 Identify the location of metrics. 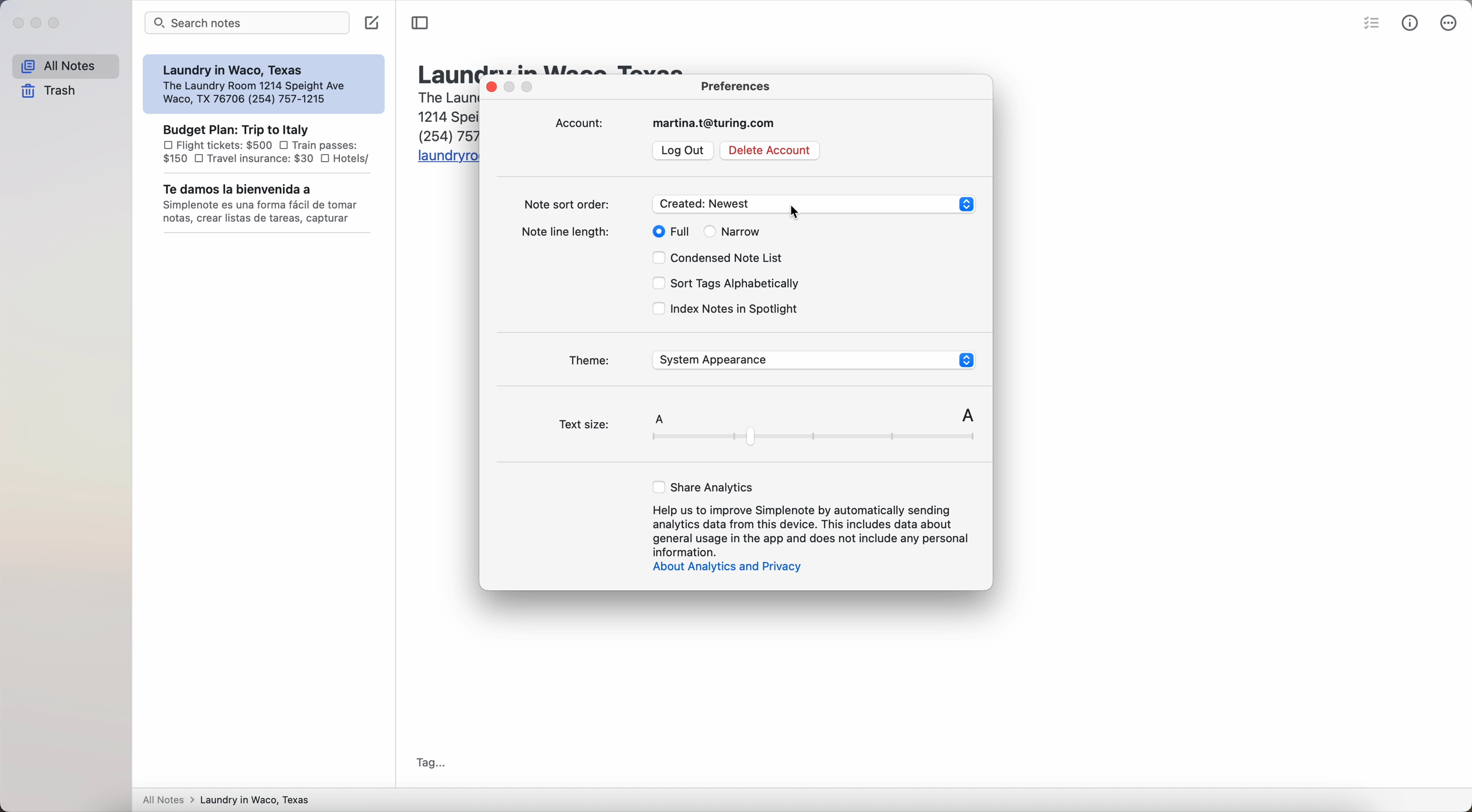
(1413, 23).